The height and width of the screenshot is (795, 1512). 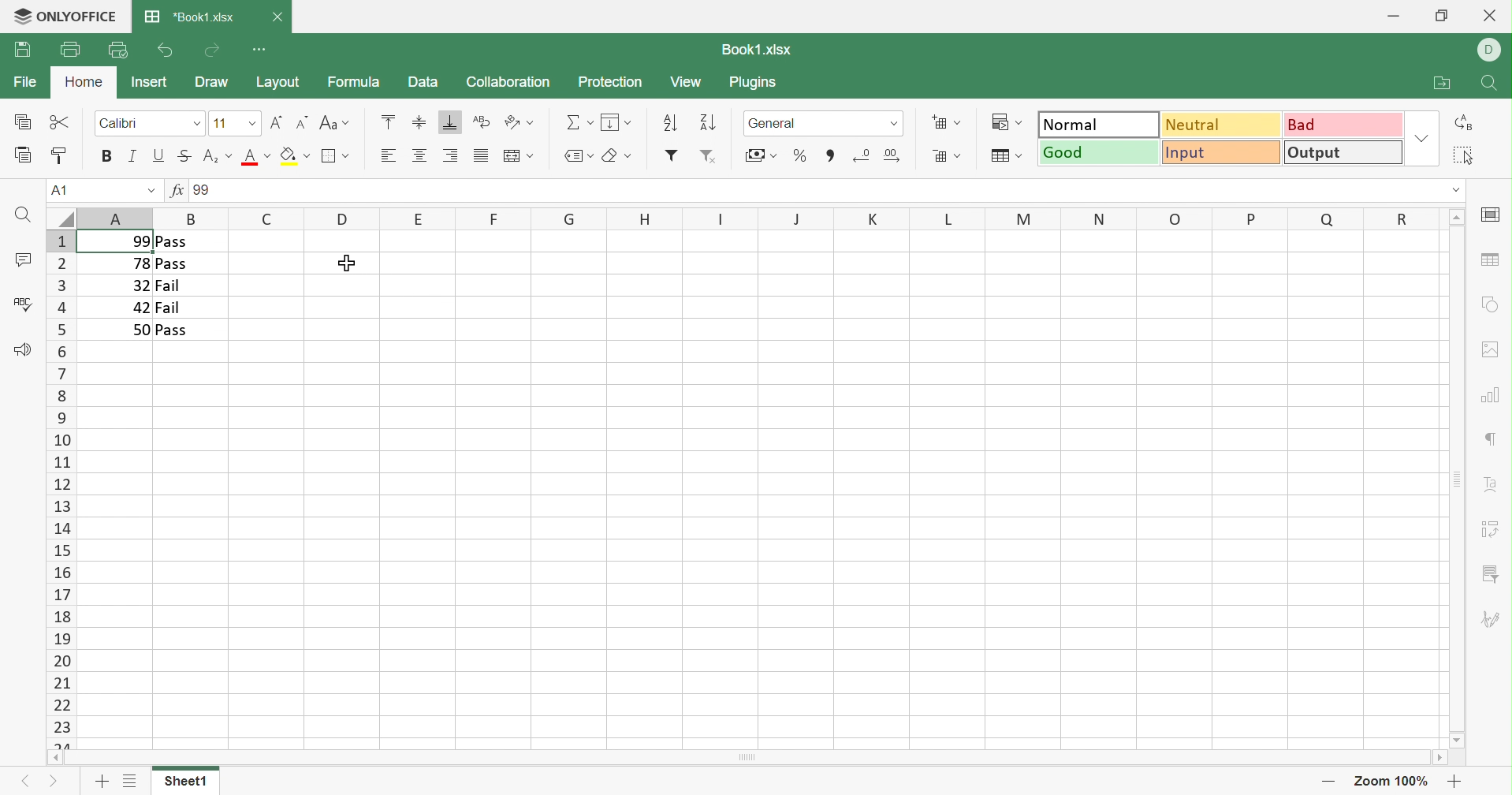 What do you see at coordinates (21, 349) in the screenshot?
I see `Feedback & Support` at bounding box center [21, 349].